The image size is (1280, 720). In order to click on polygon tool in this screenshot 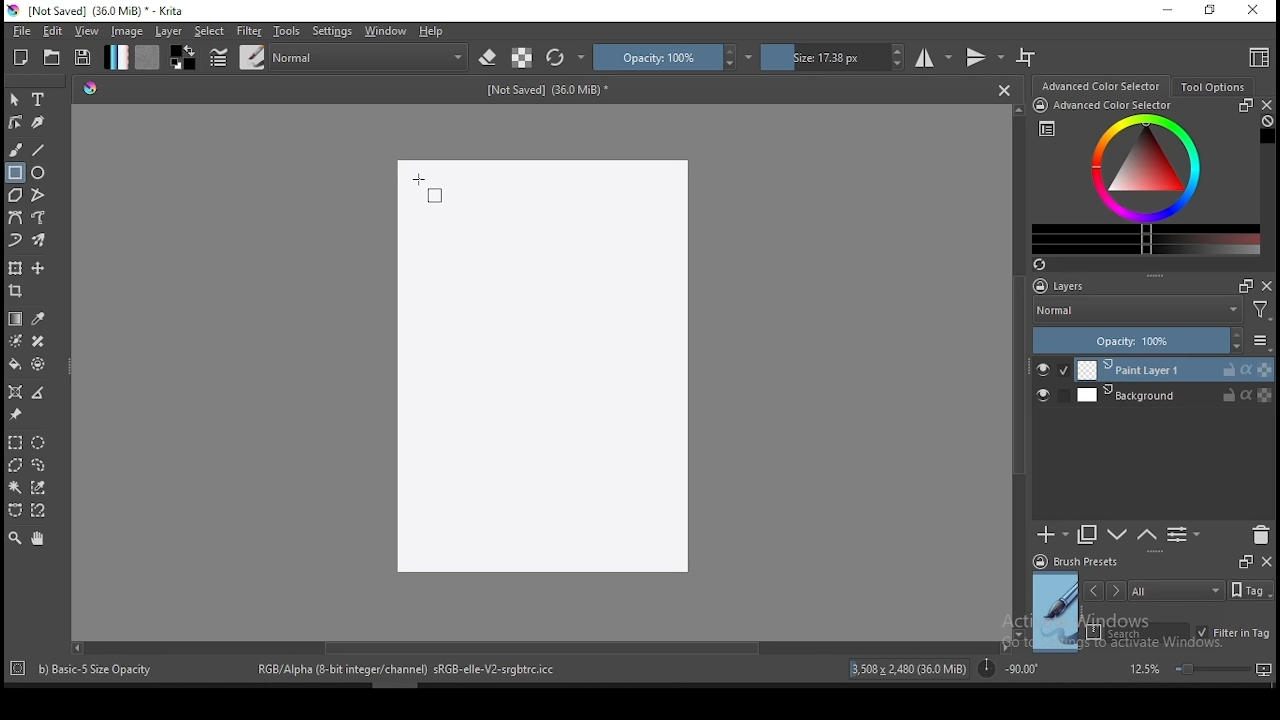, I will do `click(14, 195)`.